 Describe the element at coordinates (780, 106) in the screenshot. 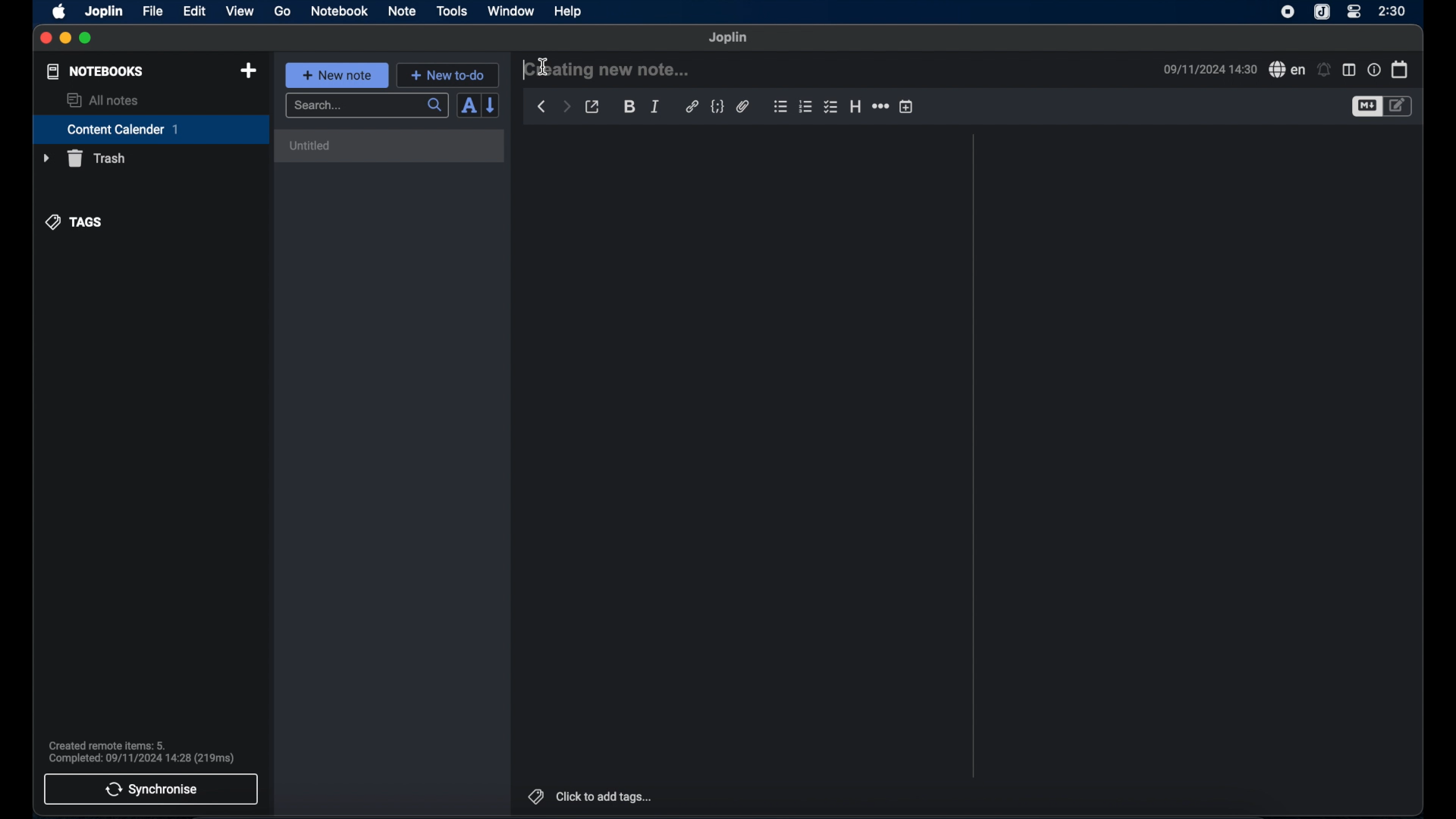

I see `bulleted list` at that location.